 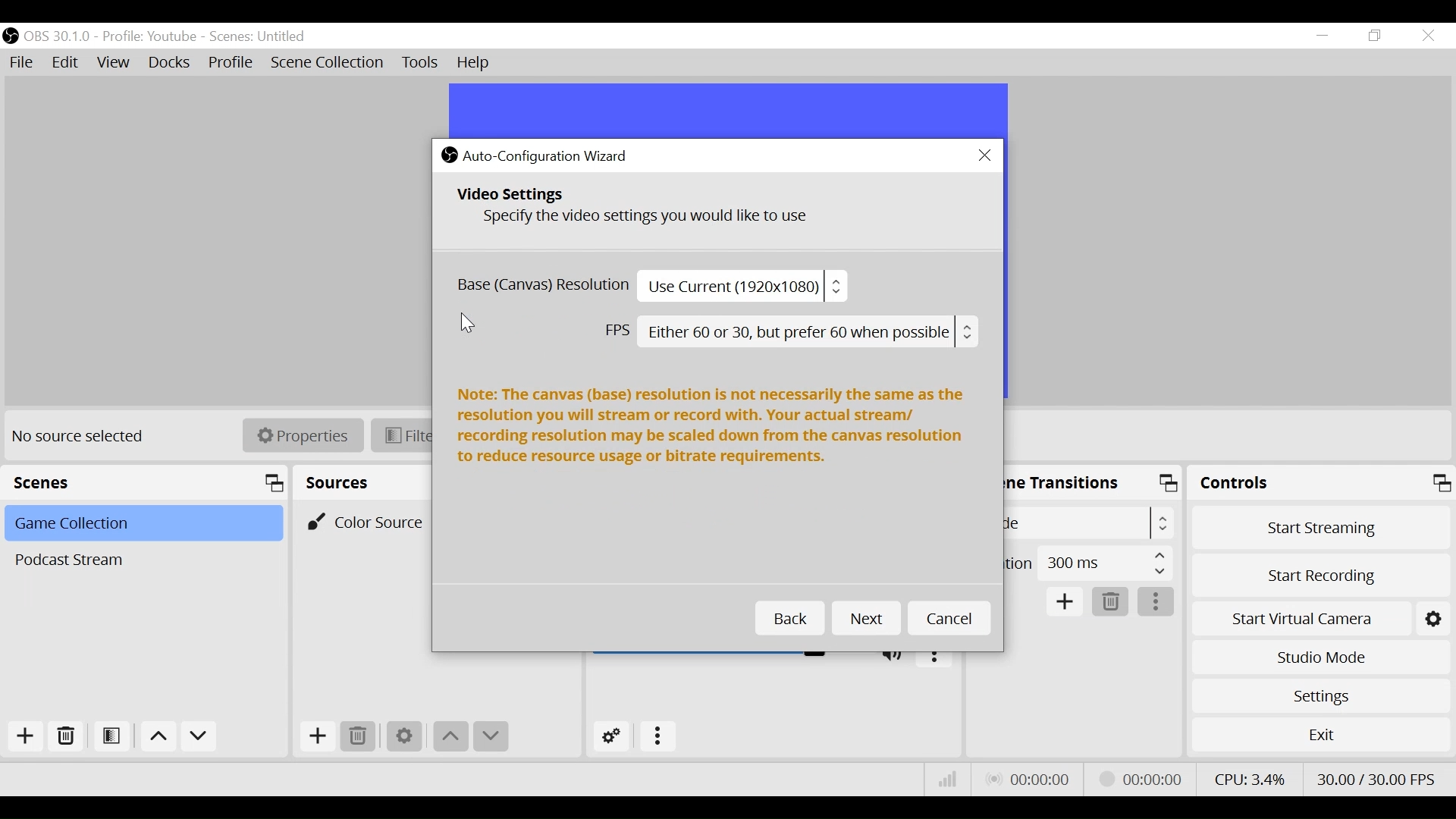 What do you see at coordinates (149, 37) in the screenshot?
I see `profile` at bounding box center [149, 37].